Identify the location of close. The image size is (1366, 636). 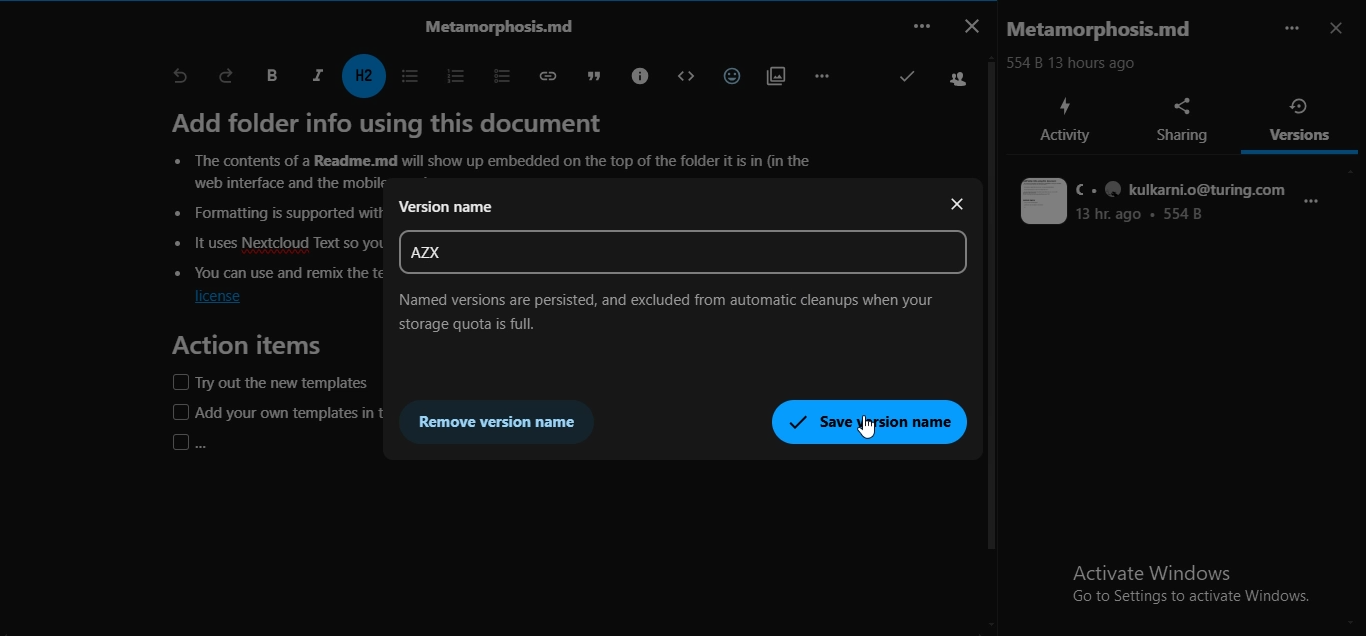
(960, 207).